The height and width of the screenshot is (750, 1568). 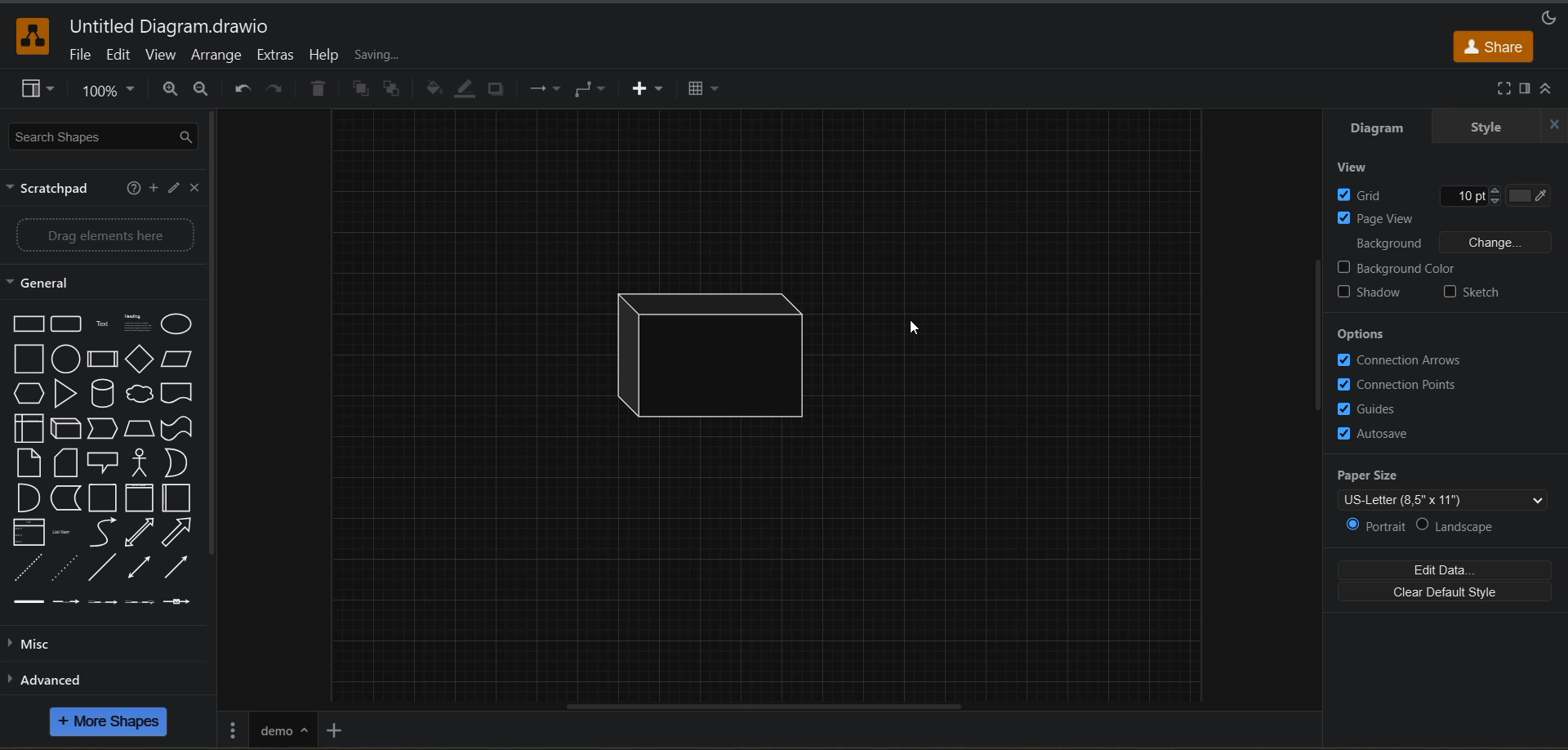 I want to click on insert page, so click(x=343, y=728).